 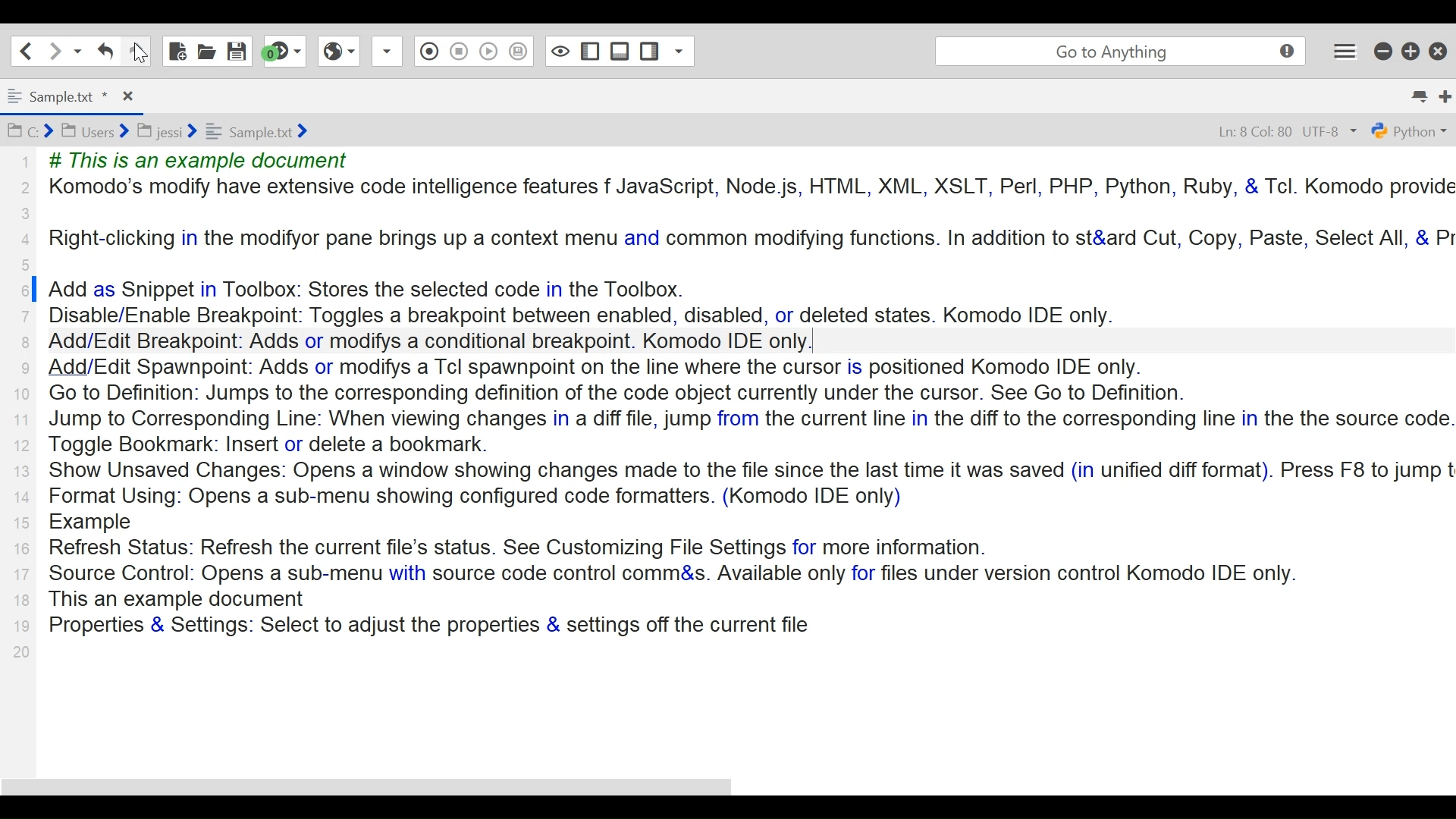 I want to click on Show/Hide Bottom Pane, so click(x=620, y=51).